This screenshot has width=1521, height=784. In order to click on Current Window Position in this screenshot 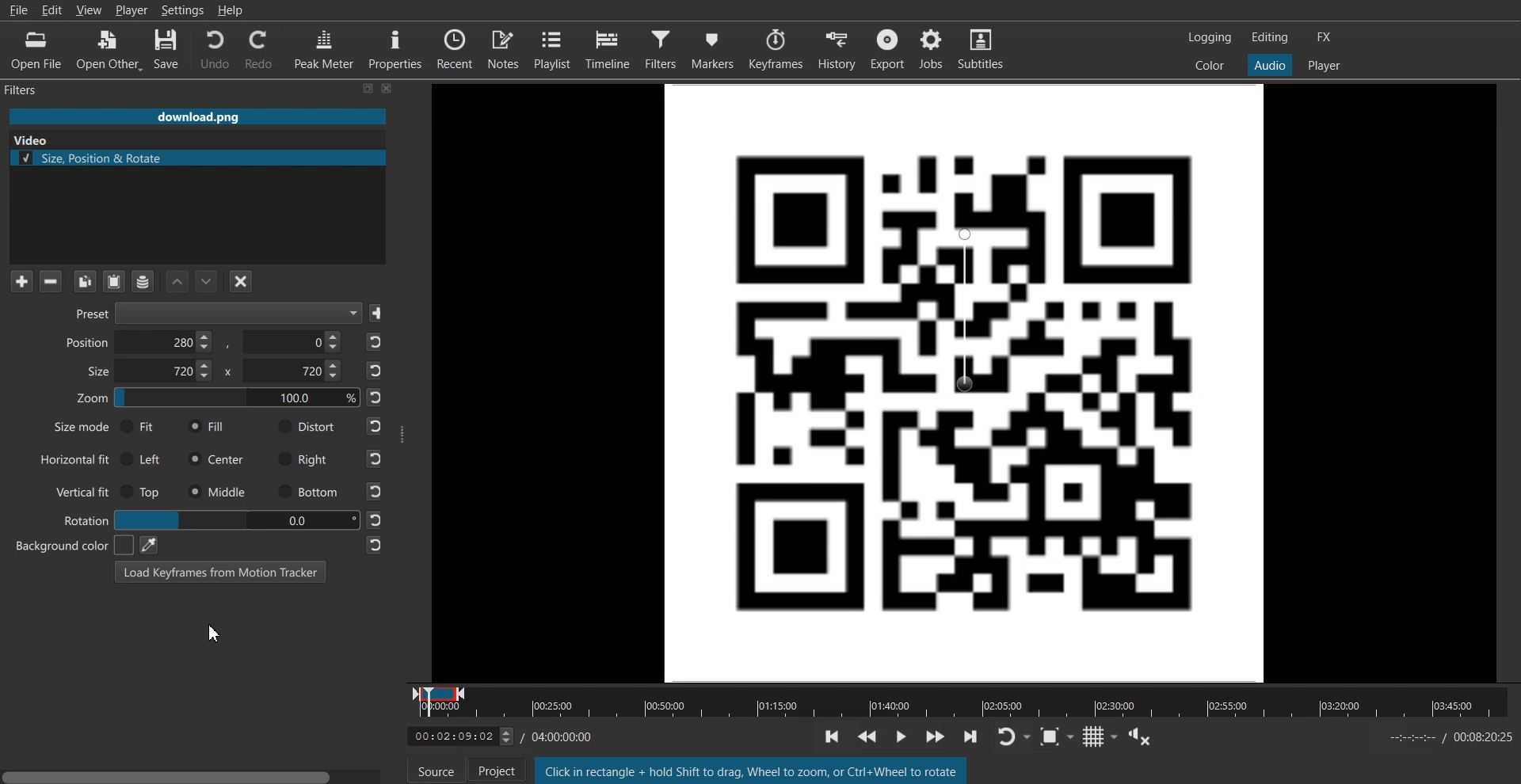, I will do `click(439, 690)`.